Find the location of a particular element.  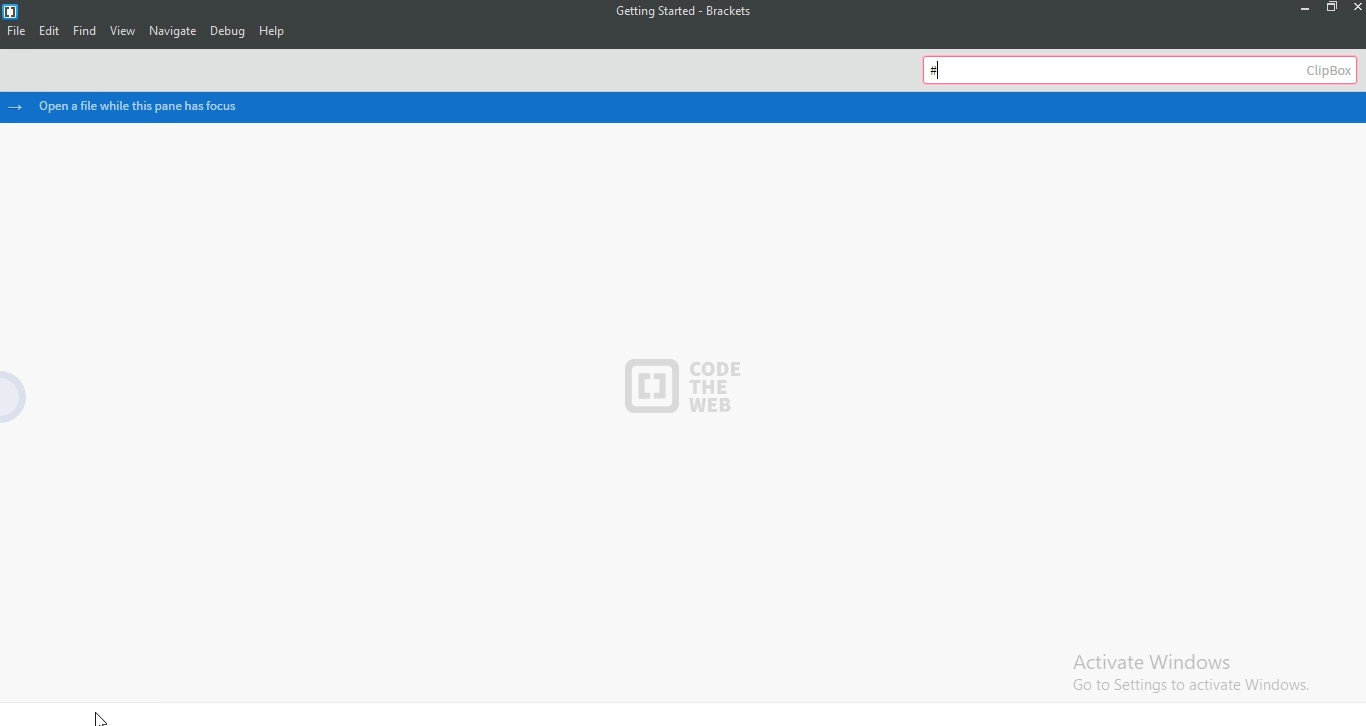

Edit is located at coordinates (51, 32).